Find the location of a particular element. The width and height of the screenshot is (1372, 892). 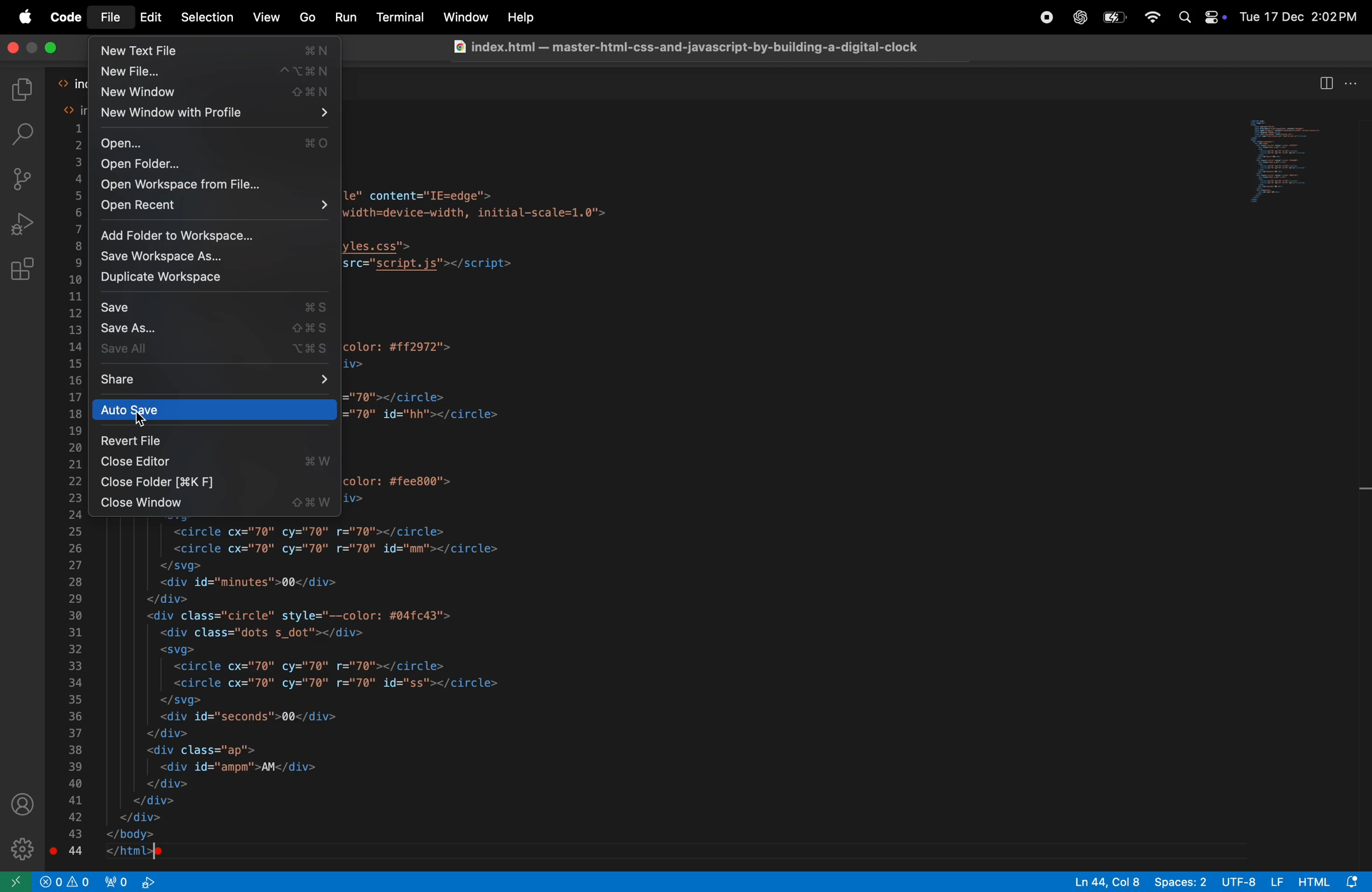

save workspace is located at coordinates (216, 258).